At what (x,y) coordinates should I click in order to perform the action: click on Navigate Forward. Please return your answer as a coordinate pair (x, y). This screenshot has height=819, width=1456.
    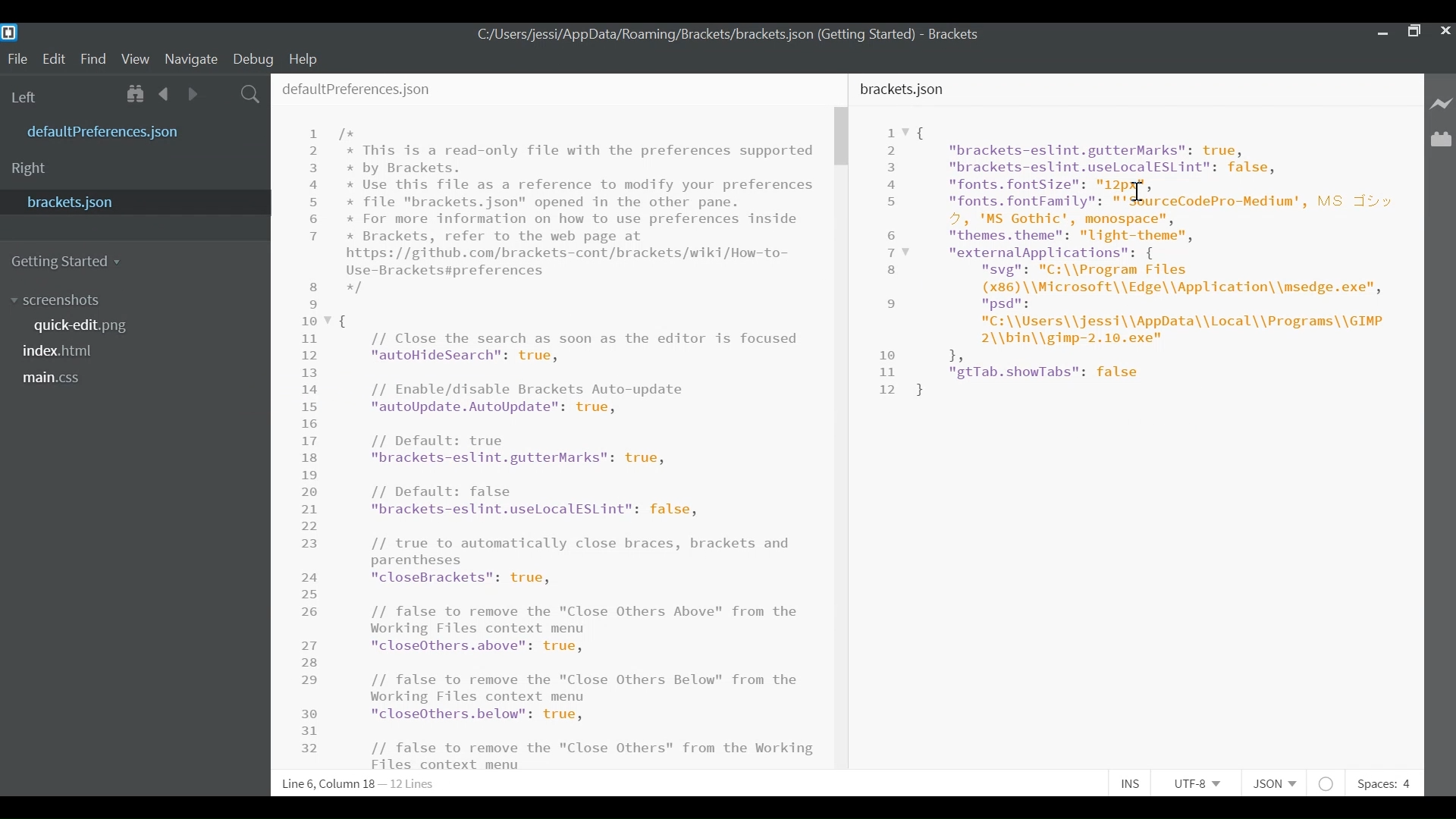
    Looking at the image, I should click on (194, 93).